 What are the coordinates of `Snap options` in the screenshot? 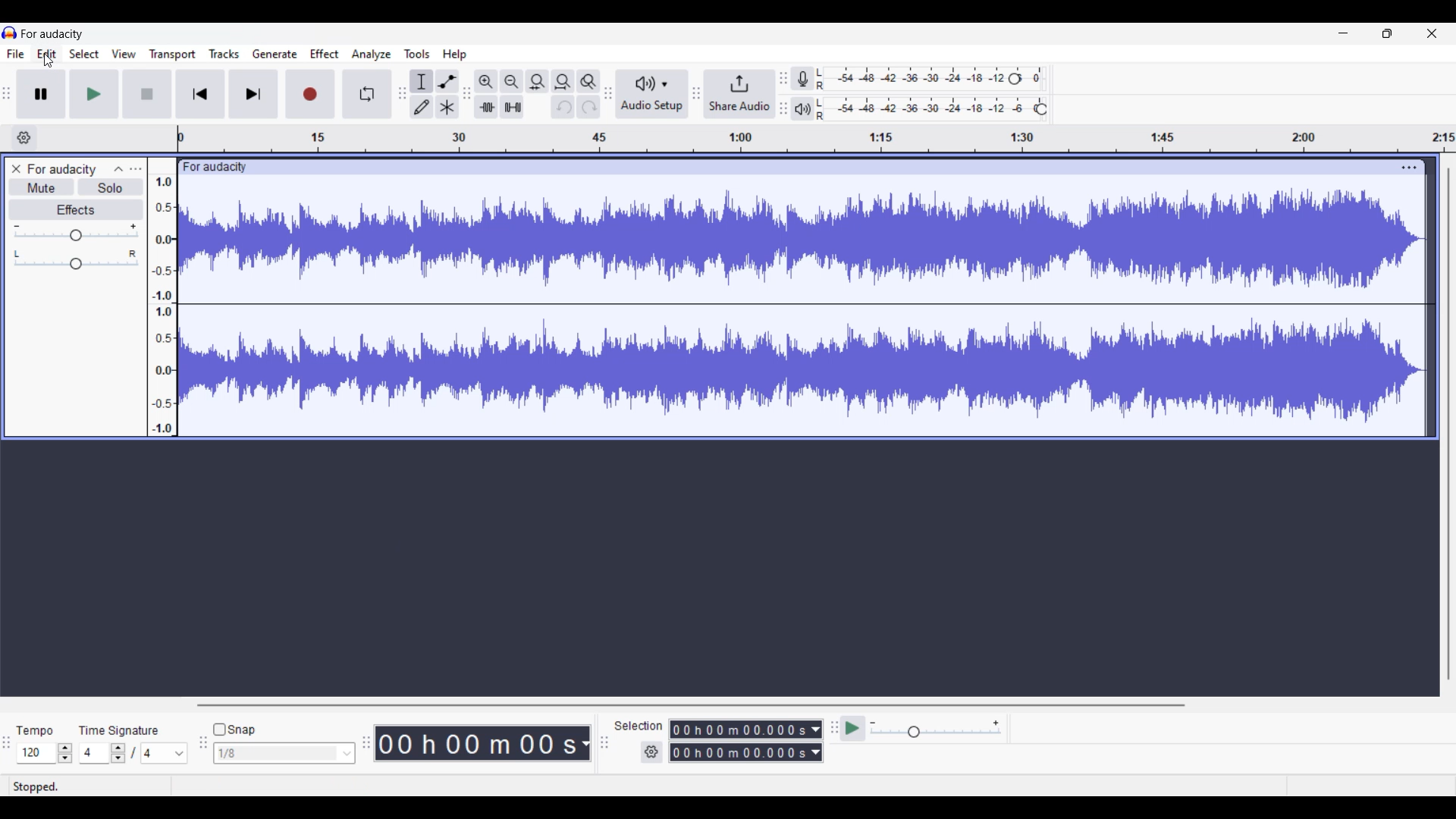 It's located at (285, 753).